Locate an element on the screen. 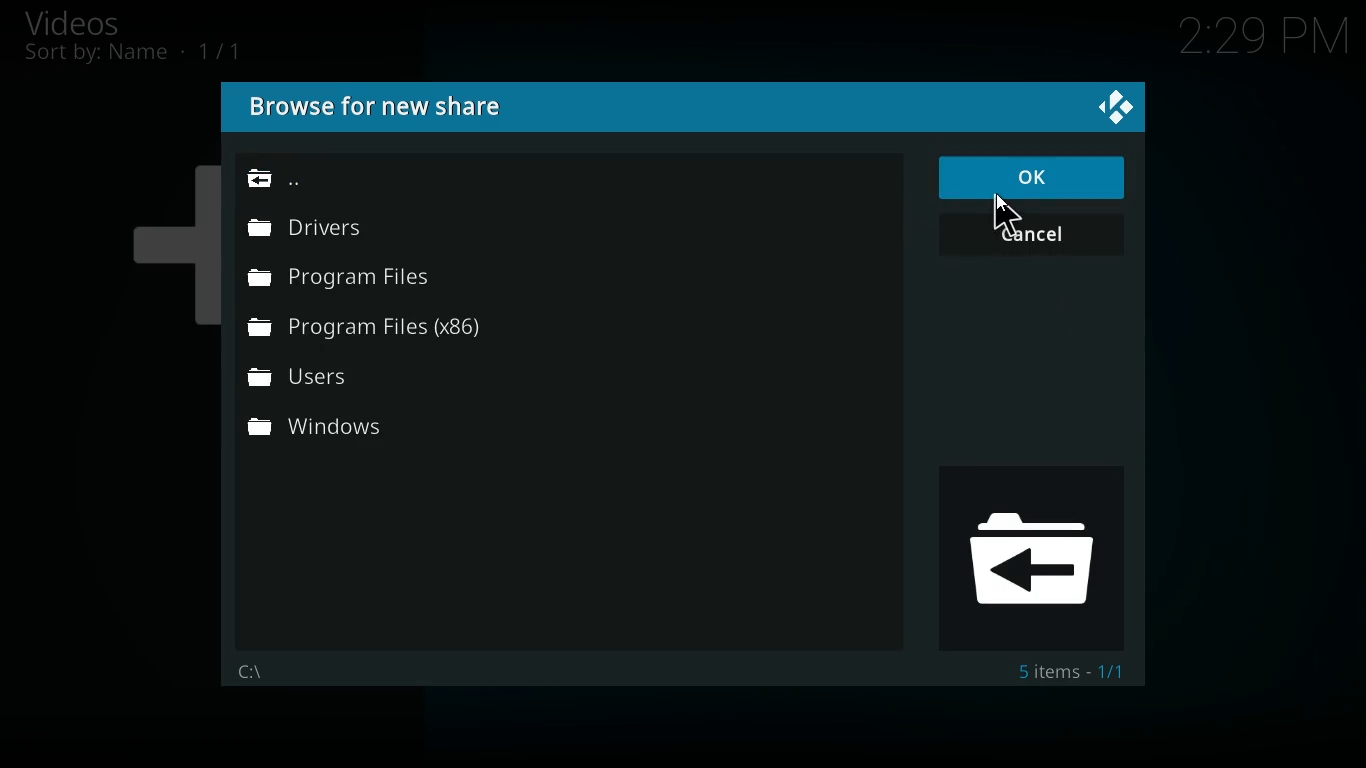   + is located at coordinates (167, 237).